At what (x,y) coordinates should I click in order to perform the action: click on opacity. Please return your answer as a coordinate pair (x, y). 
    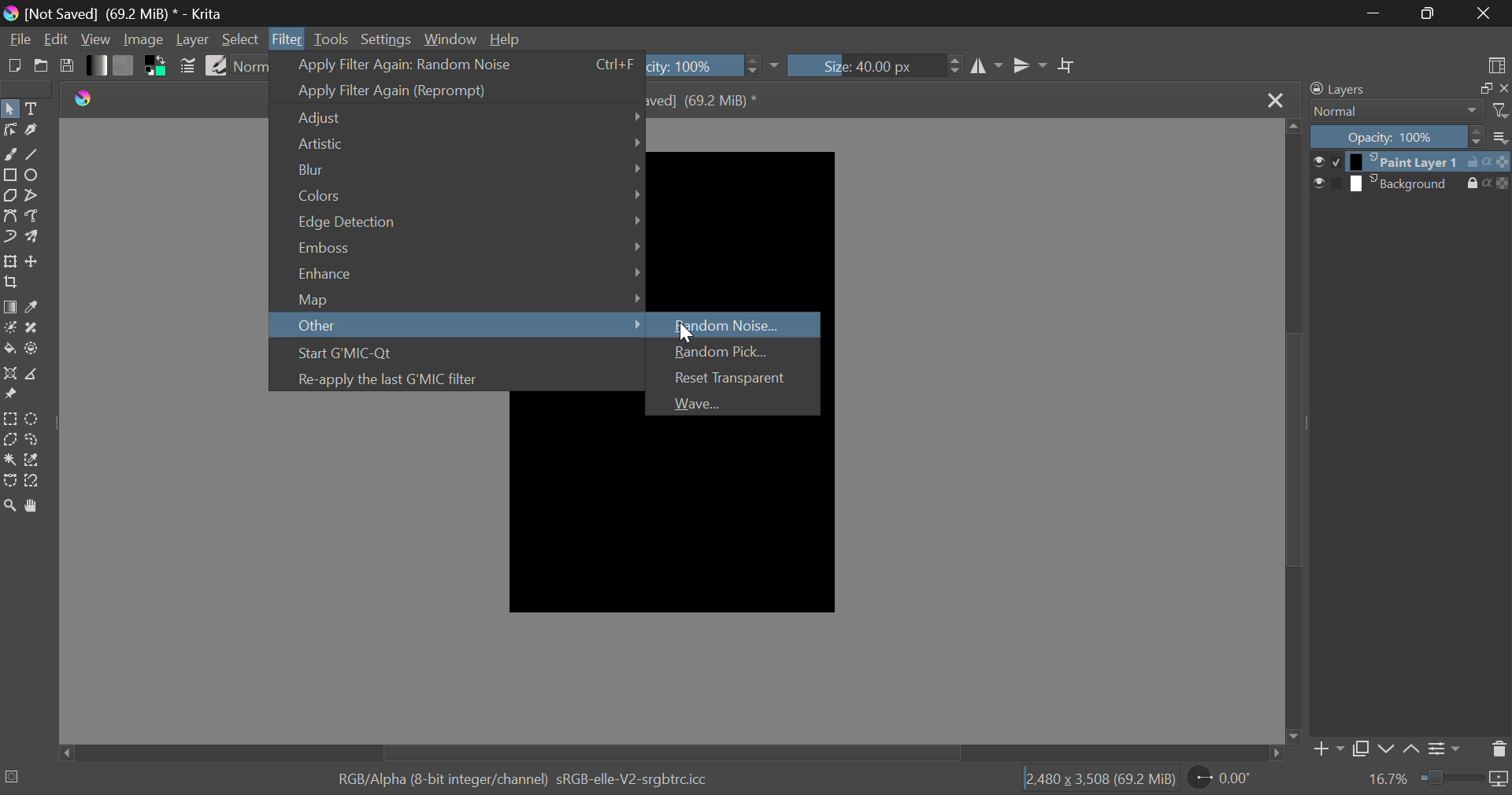
    Looking at the image, I should click on (1499, 182).